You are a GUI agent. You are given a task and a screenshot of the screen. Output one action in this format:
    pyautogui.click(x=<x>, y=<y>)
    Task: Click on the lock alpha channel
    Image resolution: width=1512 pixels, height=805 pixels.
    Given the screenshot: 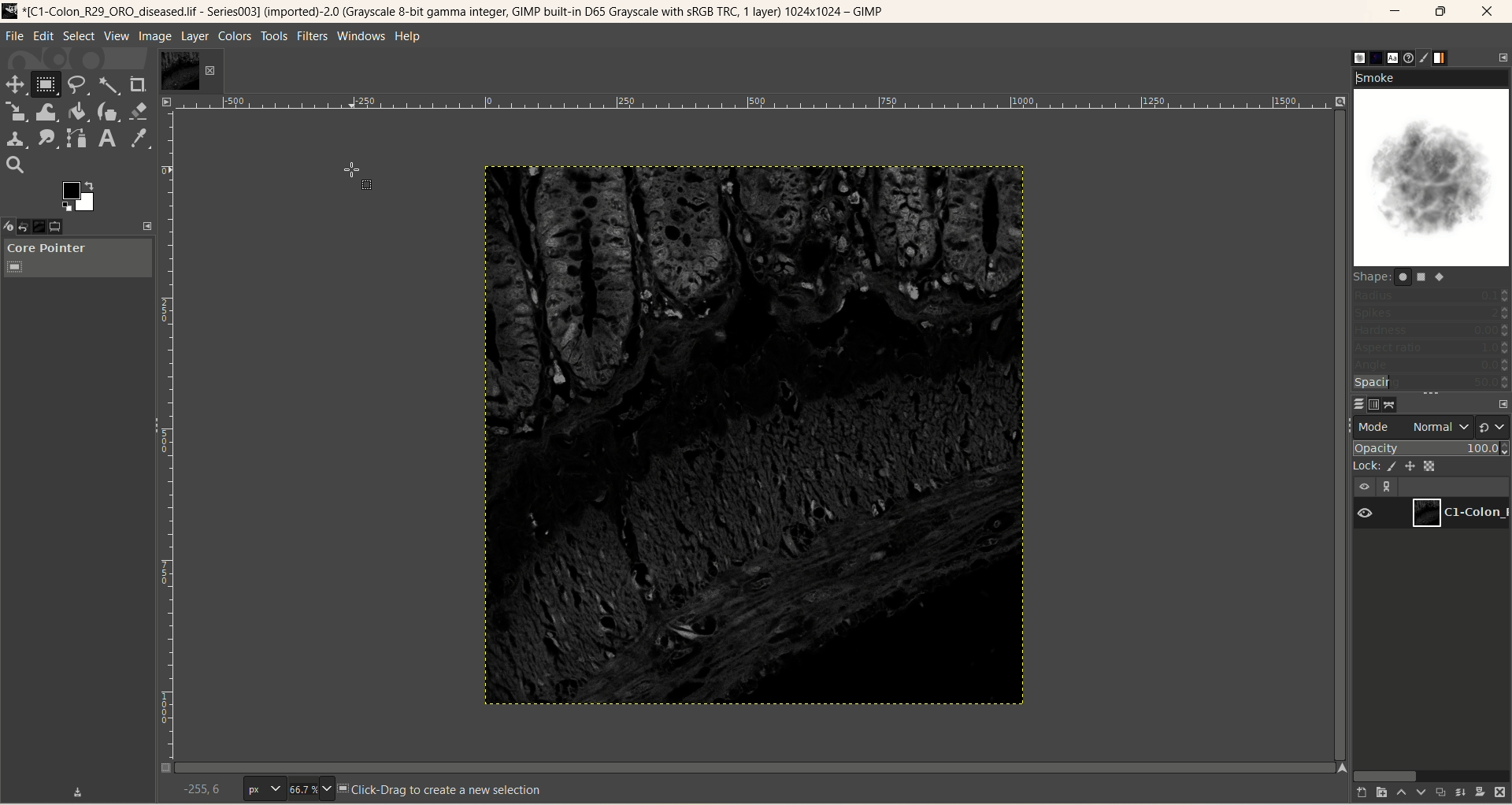 What is the action you would take?
    pyautogui.click(x=1430, y=467)
    